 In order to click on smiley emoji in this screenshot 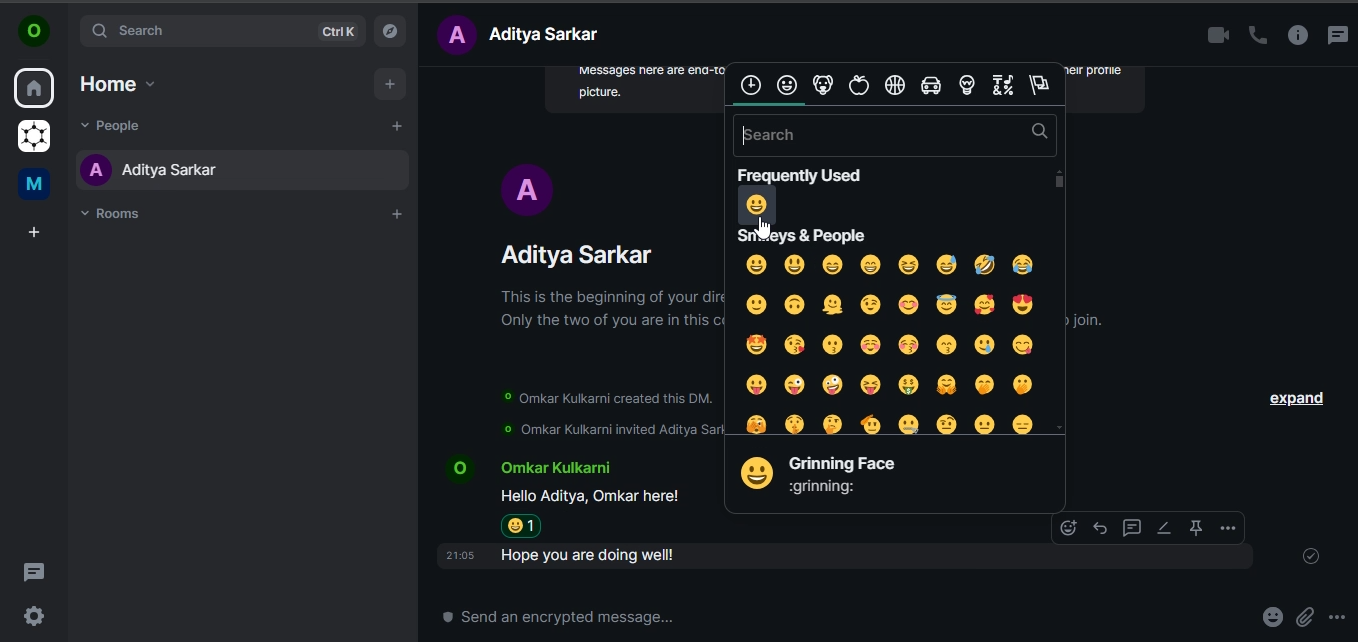, I will do `click(525, 526)`.